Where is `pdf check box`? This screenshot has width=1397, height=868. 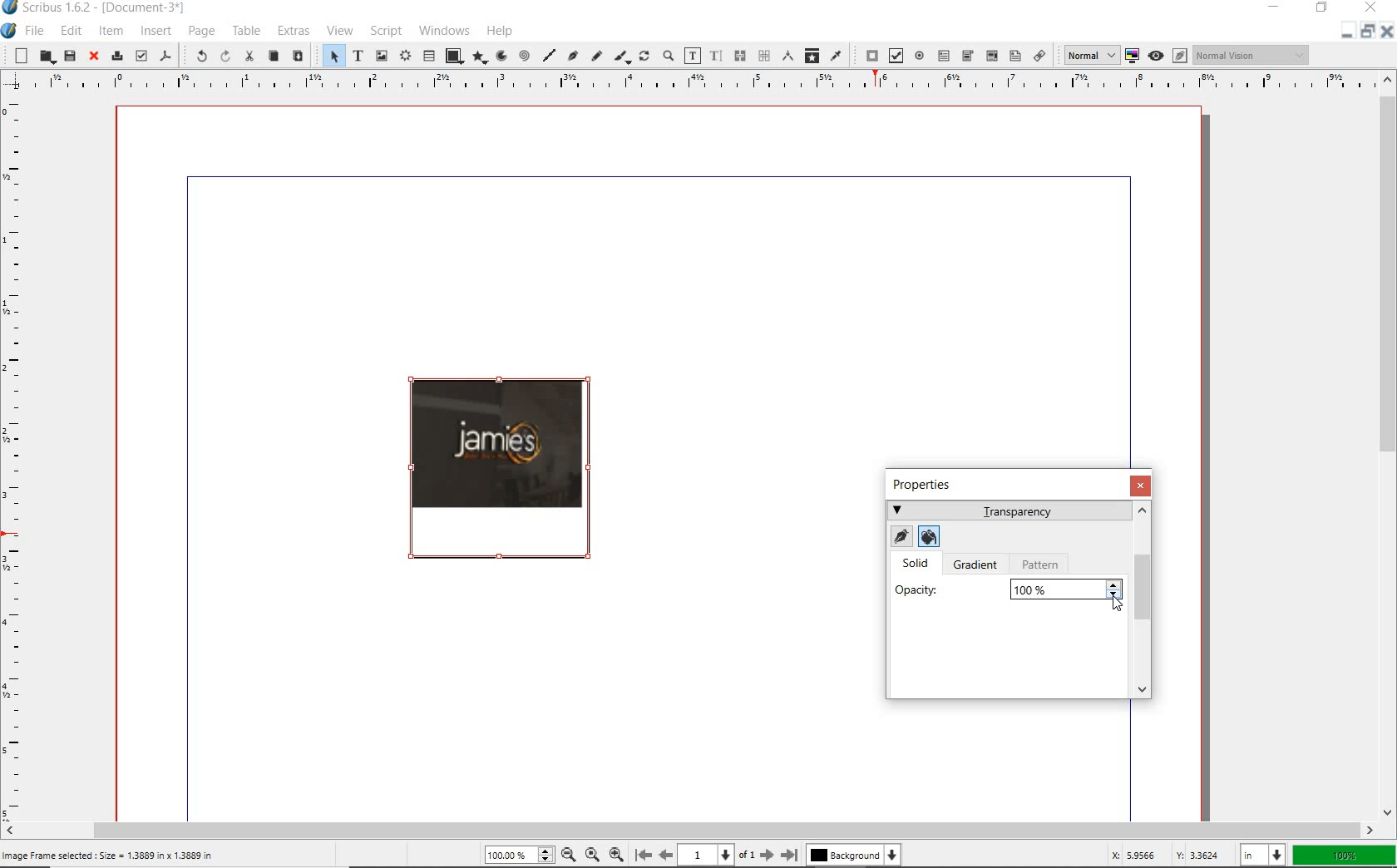
pdf check box is located at coordinates (894, 55).